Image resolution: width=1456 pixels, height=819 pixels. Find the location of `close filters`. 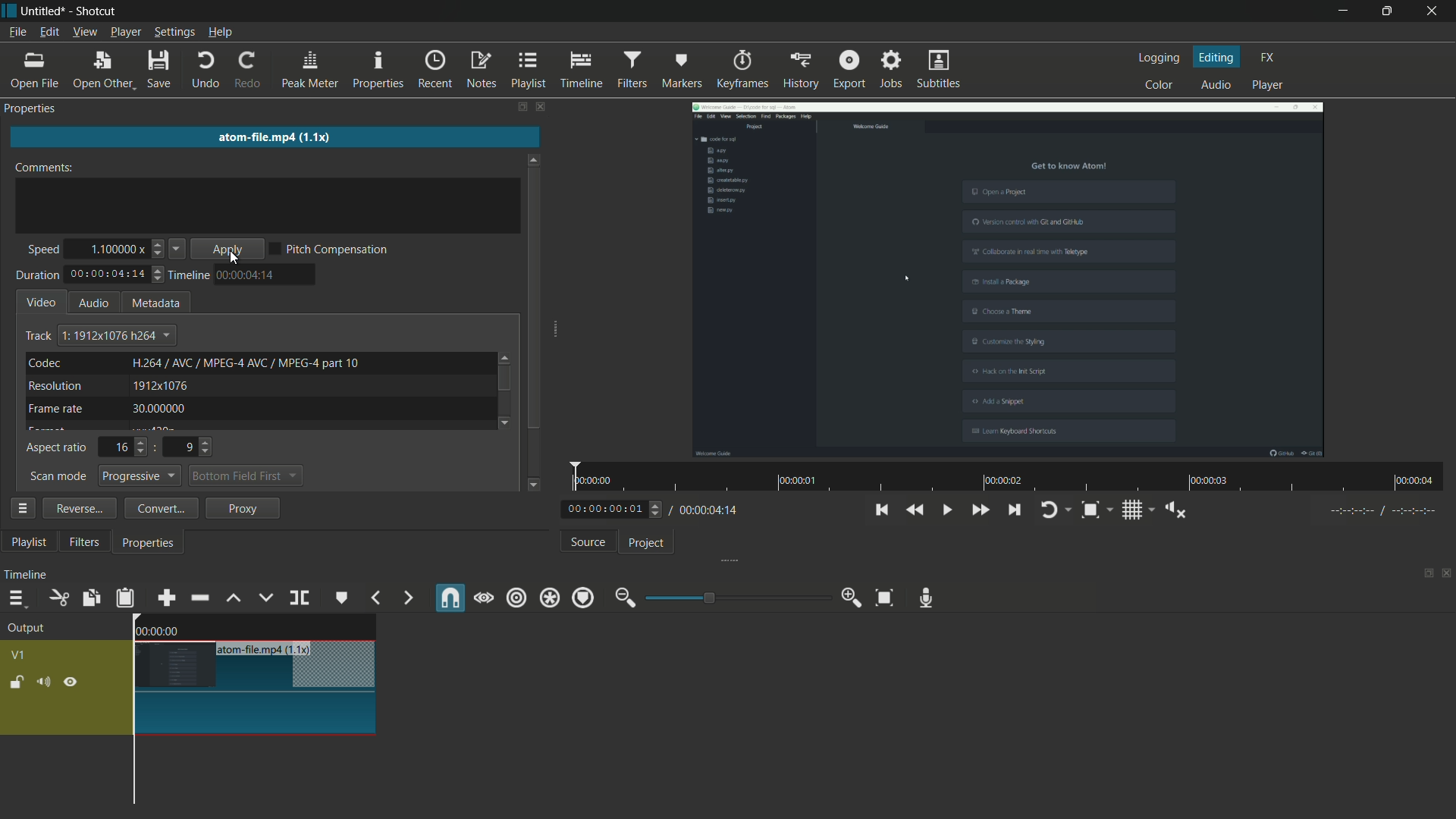

close filters is located at coordinates (543, 106).